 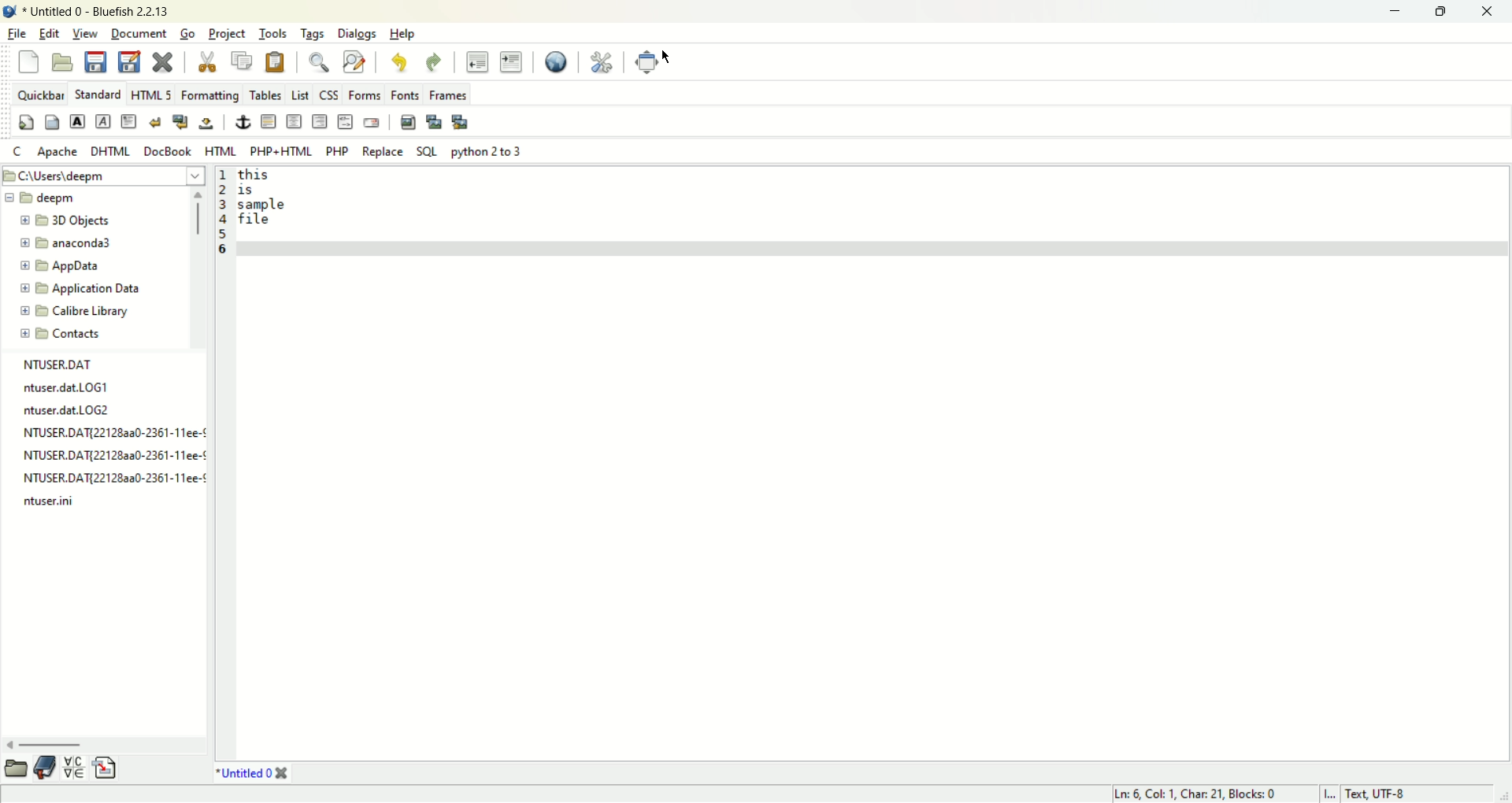 I want to click on app data, so click(x=60, y=266).